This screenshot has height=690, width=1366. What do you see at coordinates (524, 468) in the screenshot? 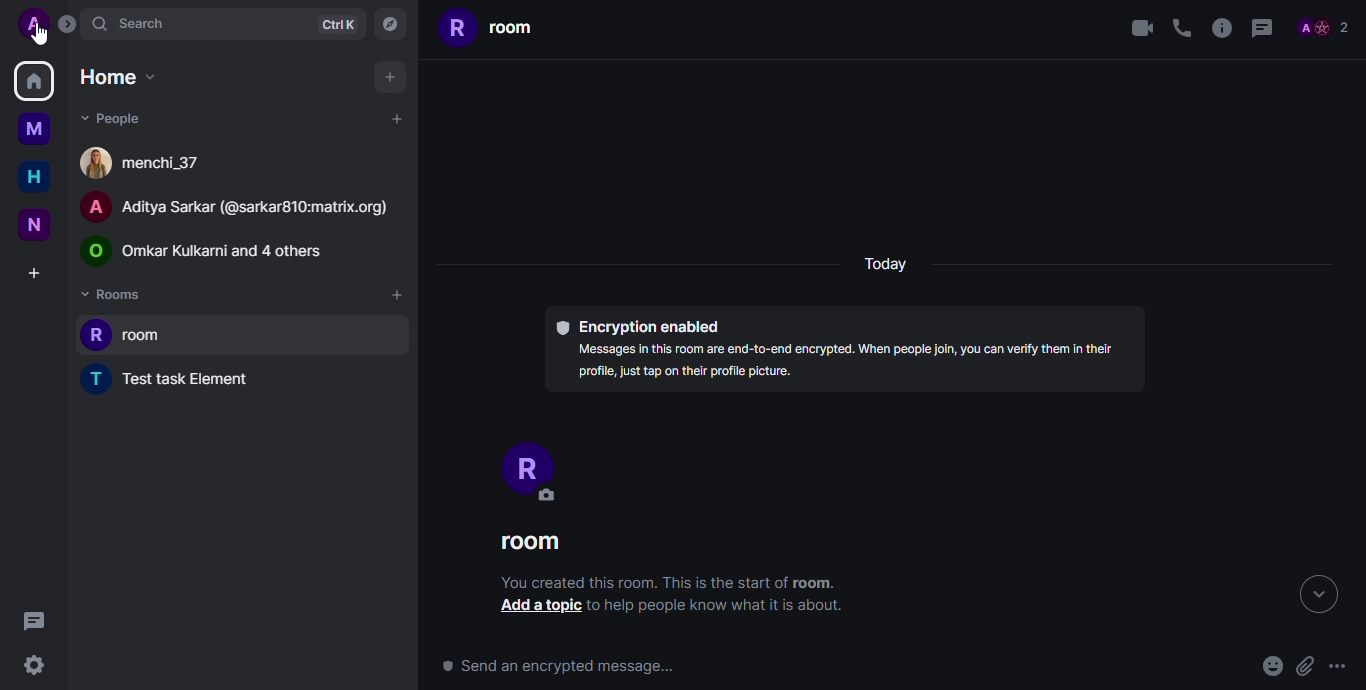
I see `profile` at bounding box center [524, 468].